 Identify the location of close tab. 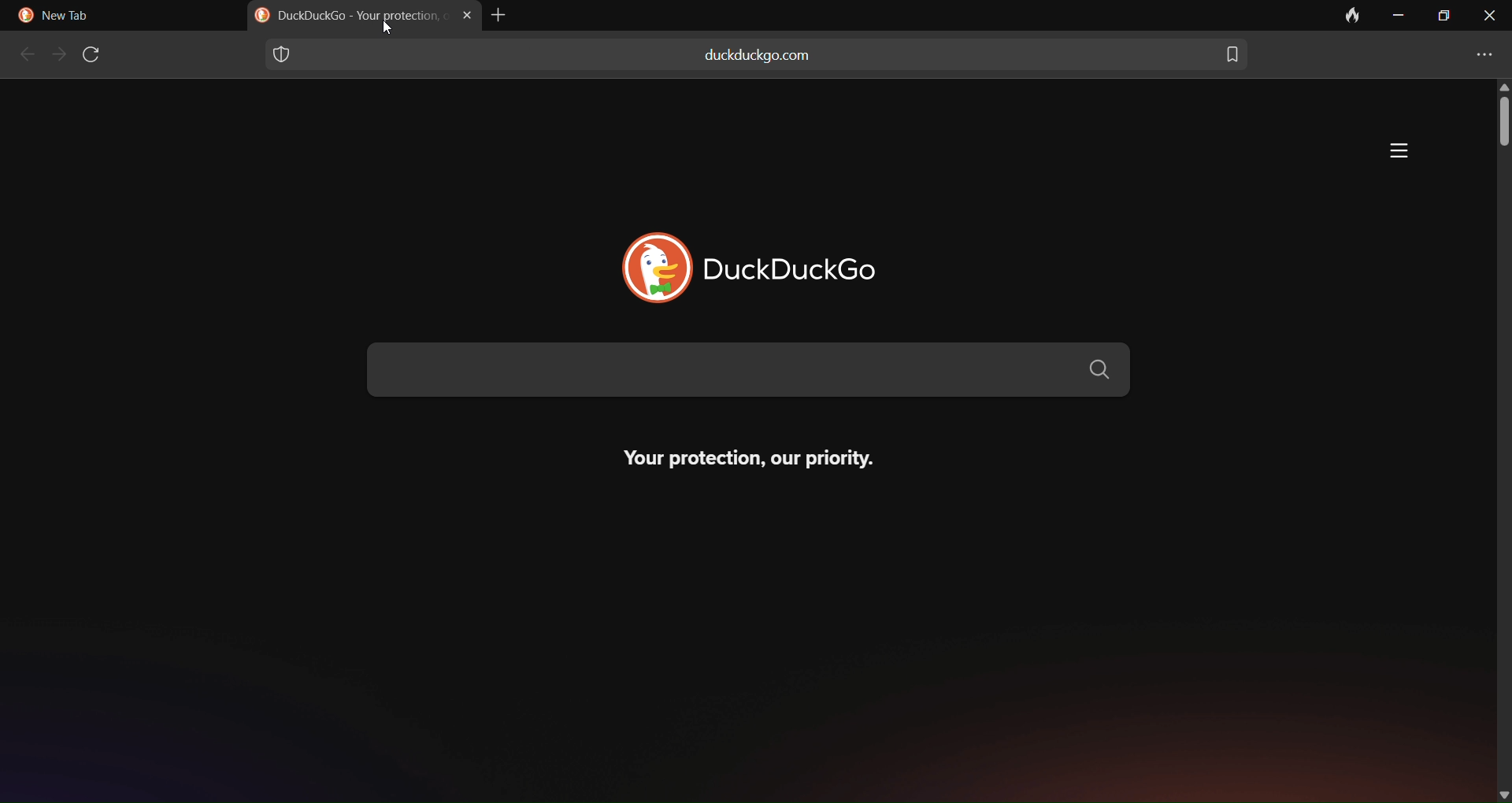
(465, 16).